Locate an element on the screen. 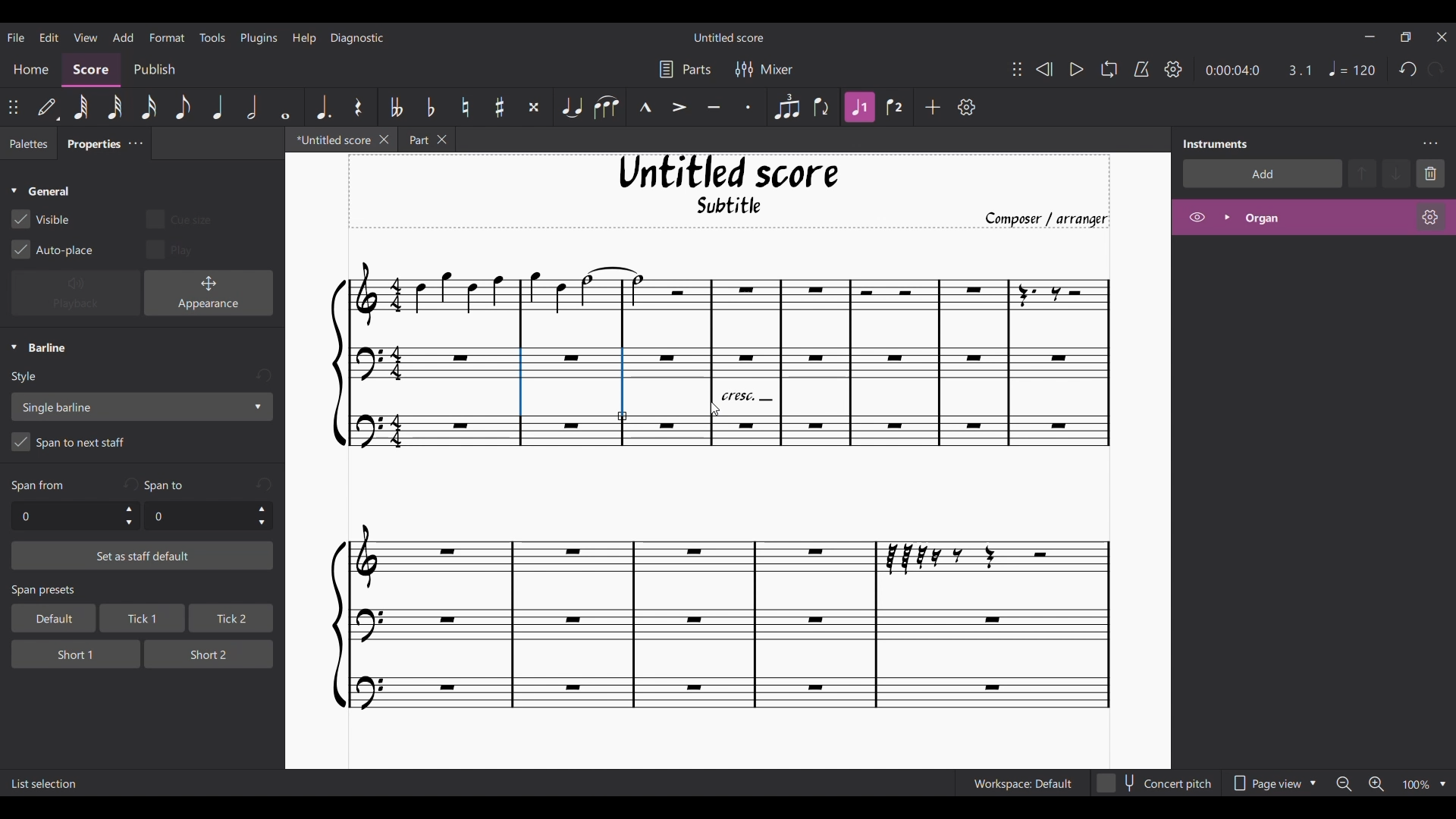  Composer/arranger is located at coordinates (1053, 219).